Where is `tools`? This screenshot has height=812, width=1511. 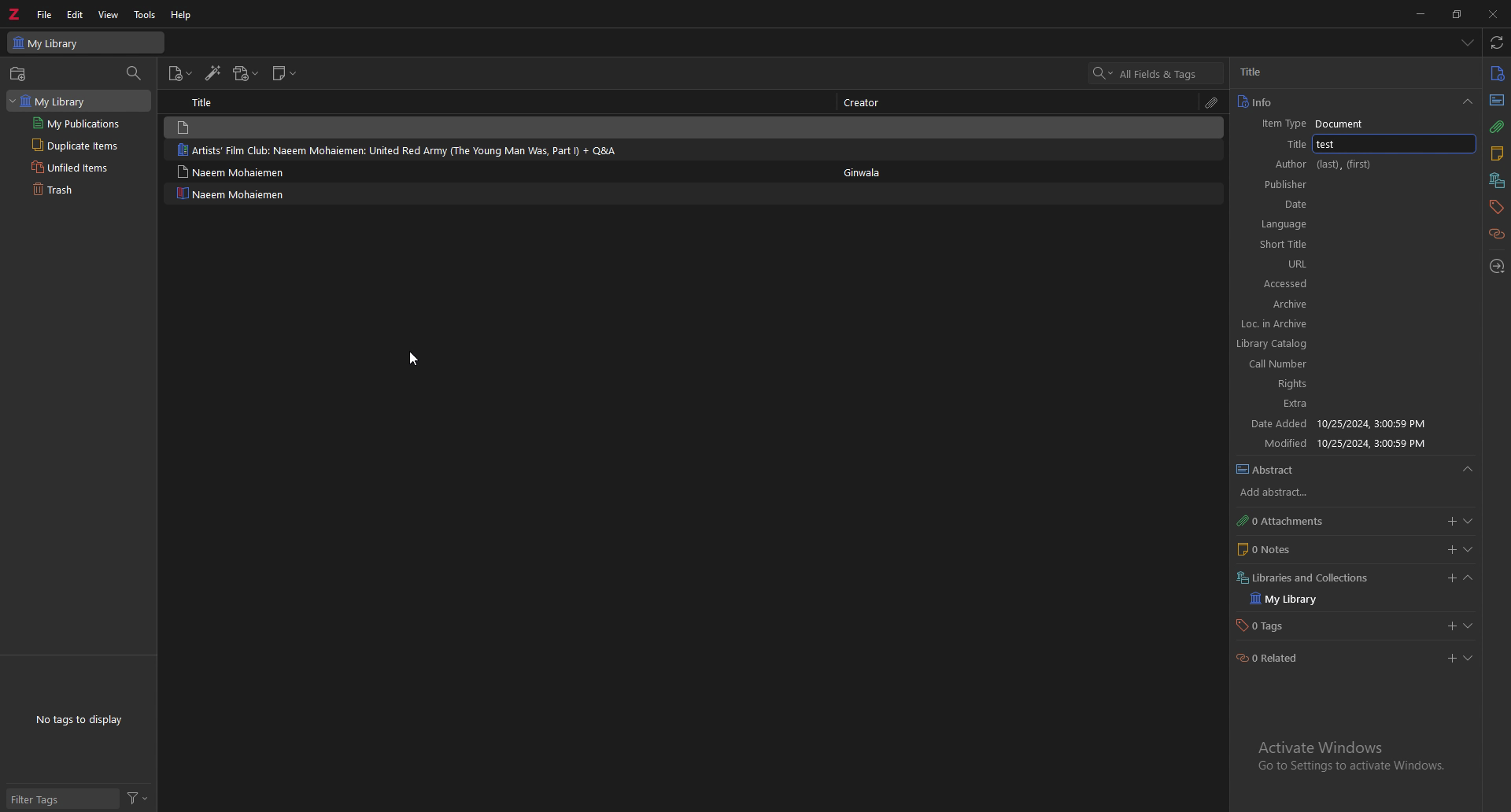 tools is located at coordinates (146, 14).